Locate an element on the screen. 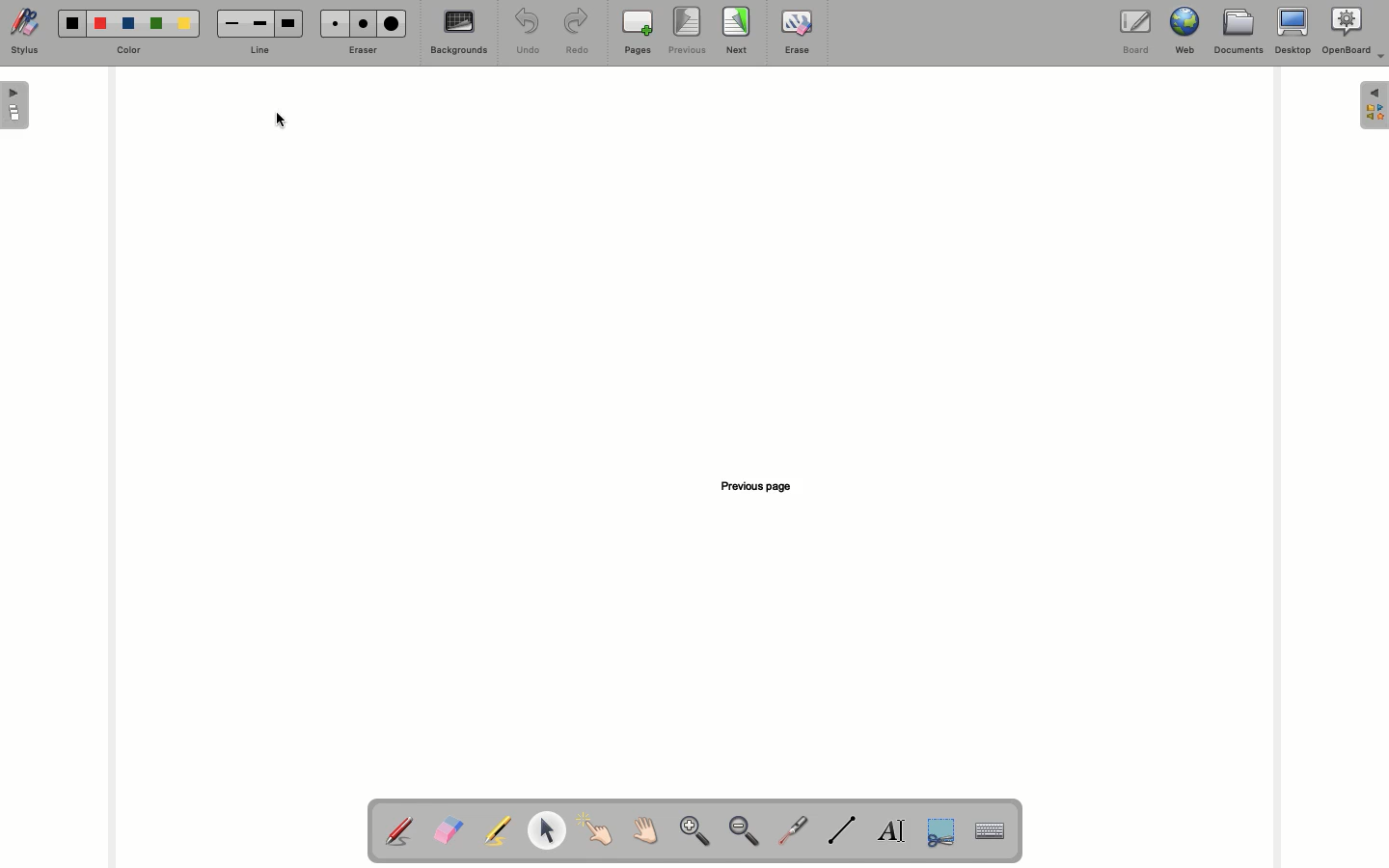 The image size is (1389, 868). Small line is located at coordinates (232, 24).